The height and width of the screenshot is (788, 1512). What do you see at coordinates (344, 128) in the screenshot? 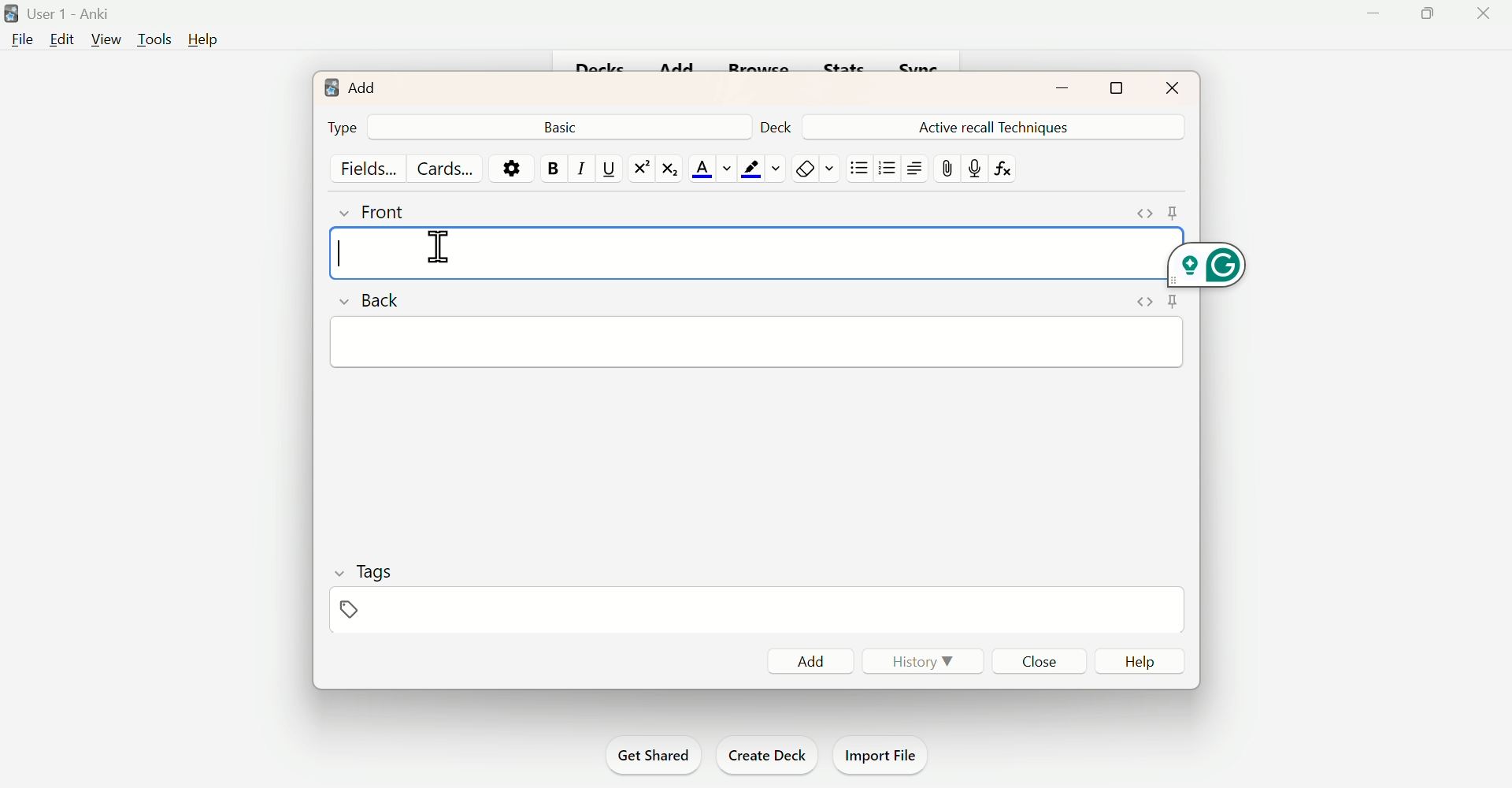
I see `Type` at bounding box center [344, 128].